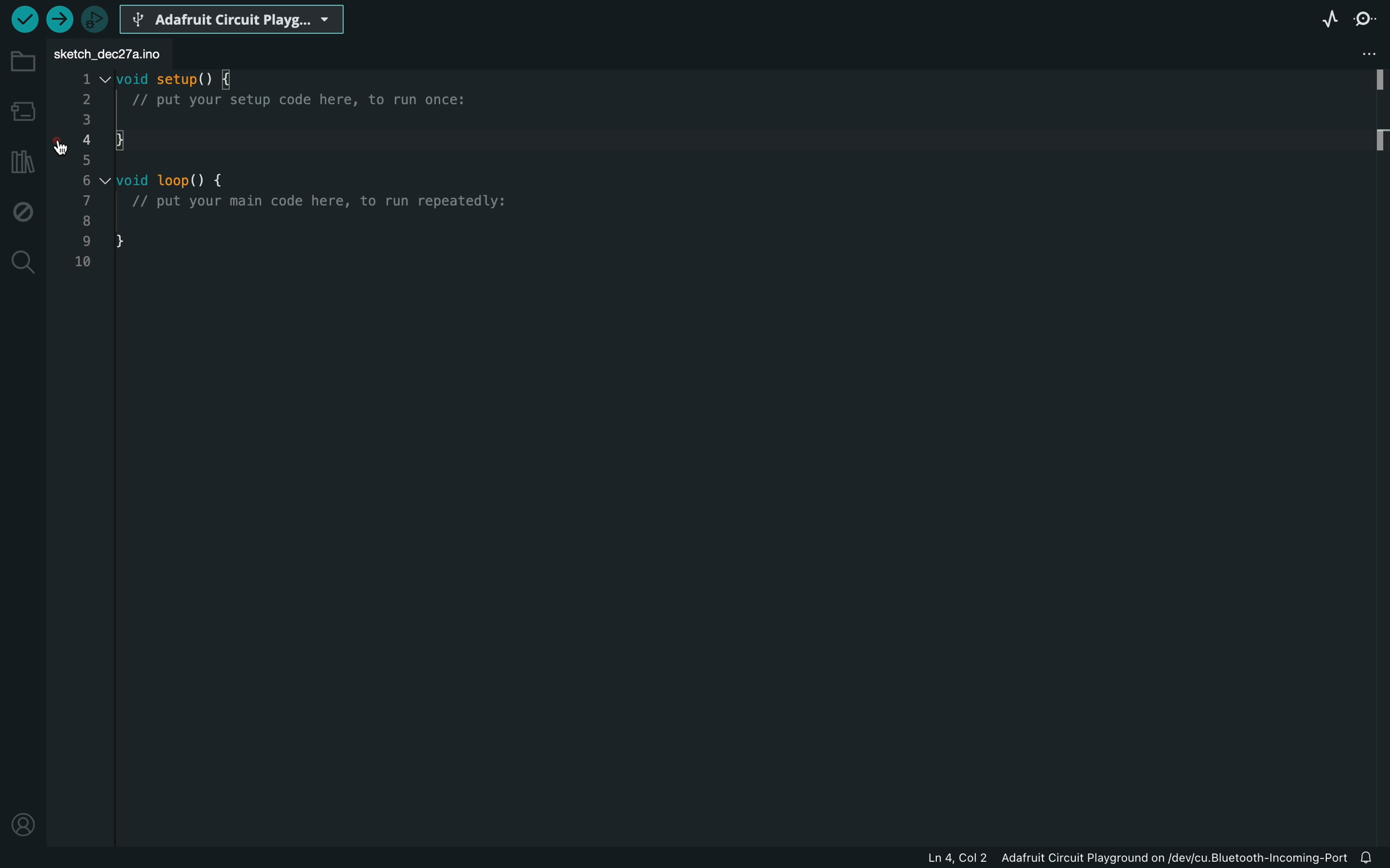  What do you see at coordinates (303, 185) in the screenshot?
I see `code` at bounding box center [303, 185].